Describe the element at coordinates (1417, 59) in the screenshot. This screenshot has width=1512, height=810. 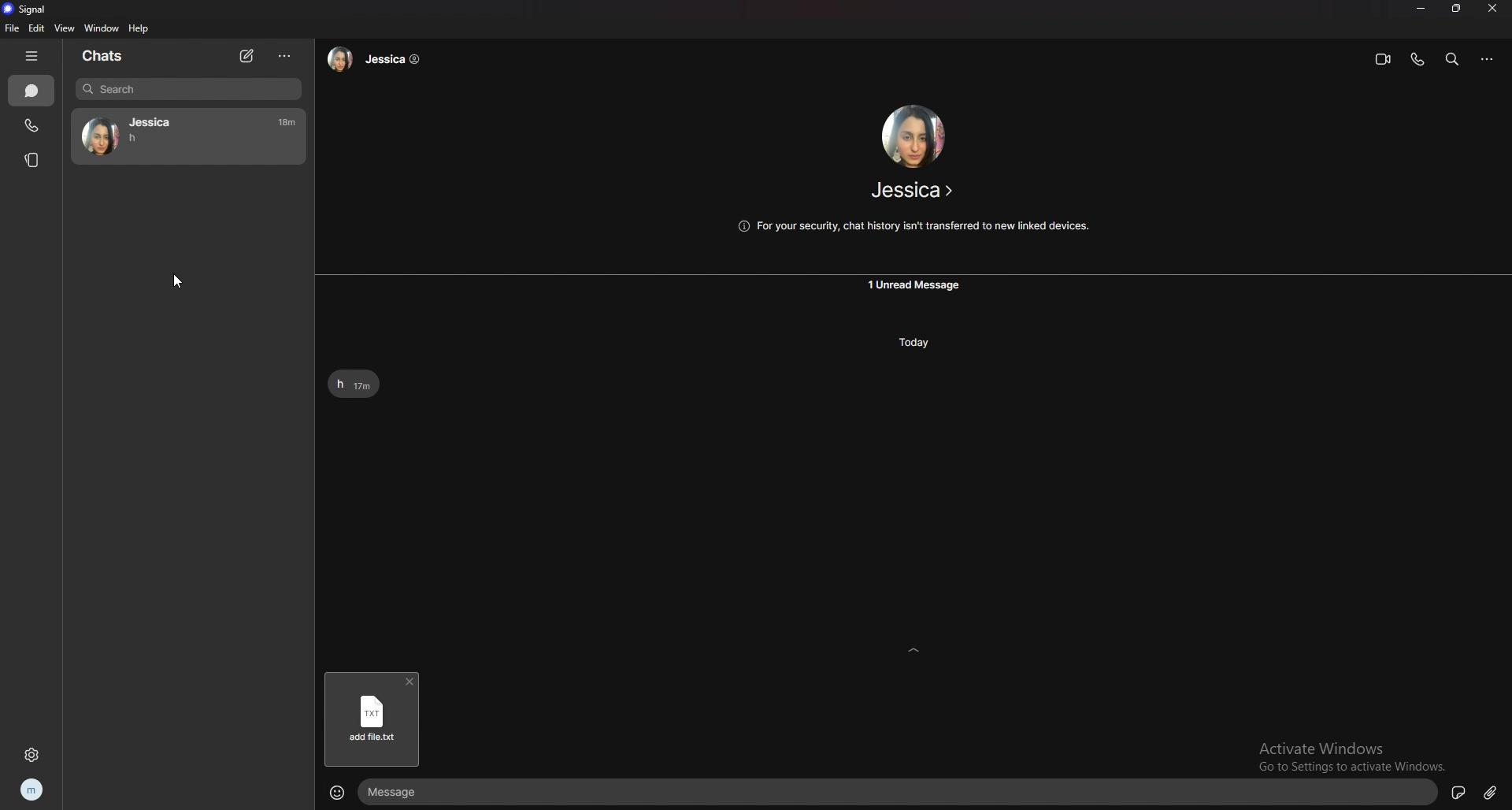
I see `voice call` at that location.